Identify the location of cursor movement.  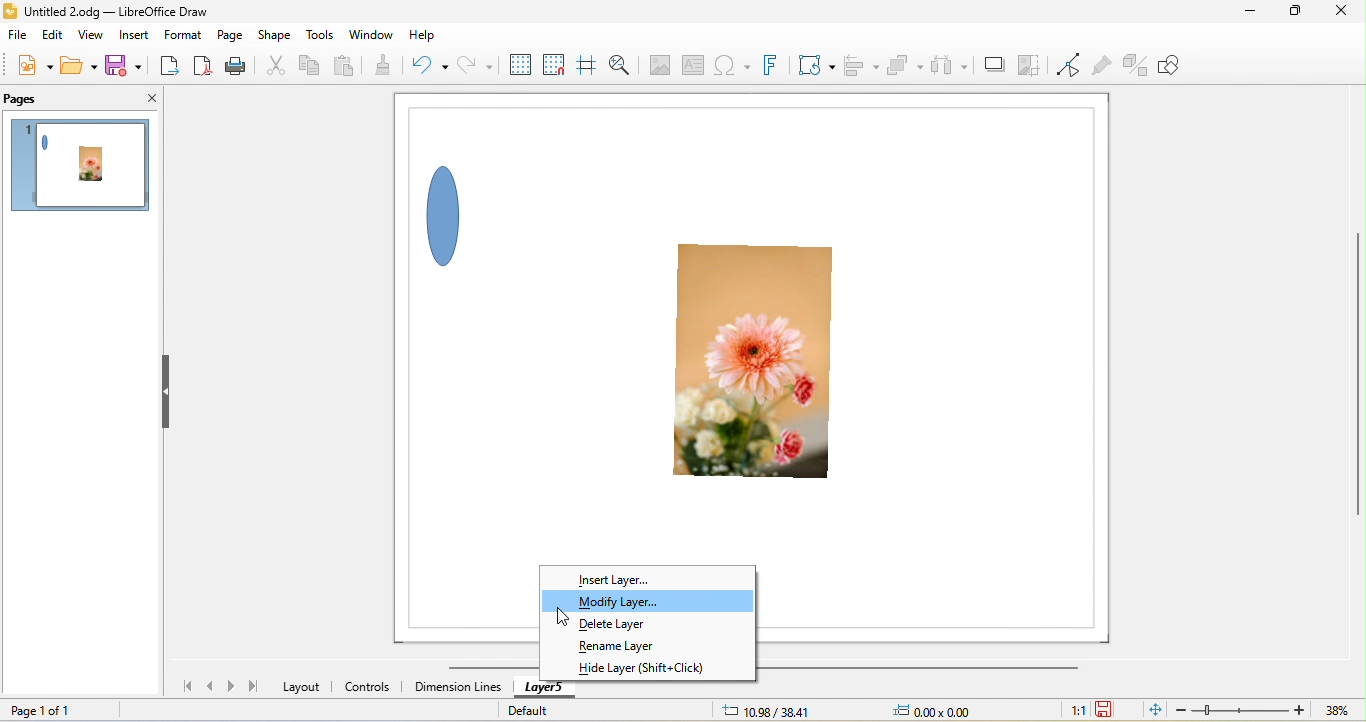
(562, 615).